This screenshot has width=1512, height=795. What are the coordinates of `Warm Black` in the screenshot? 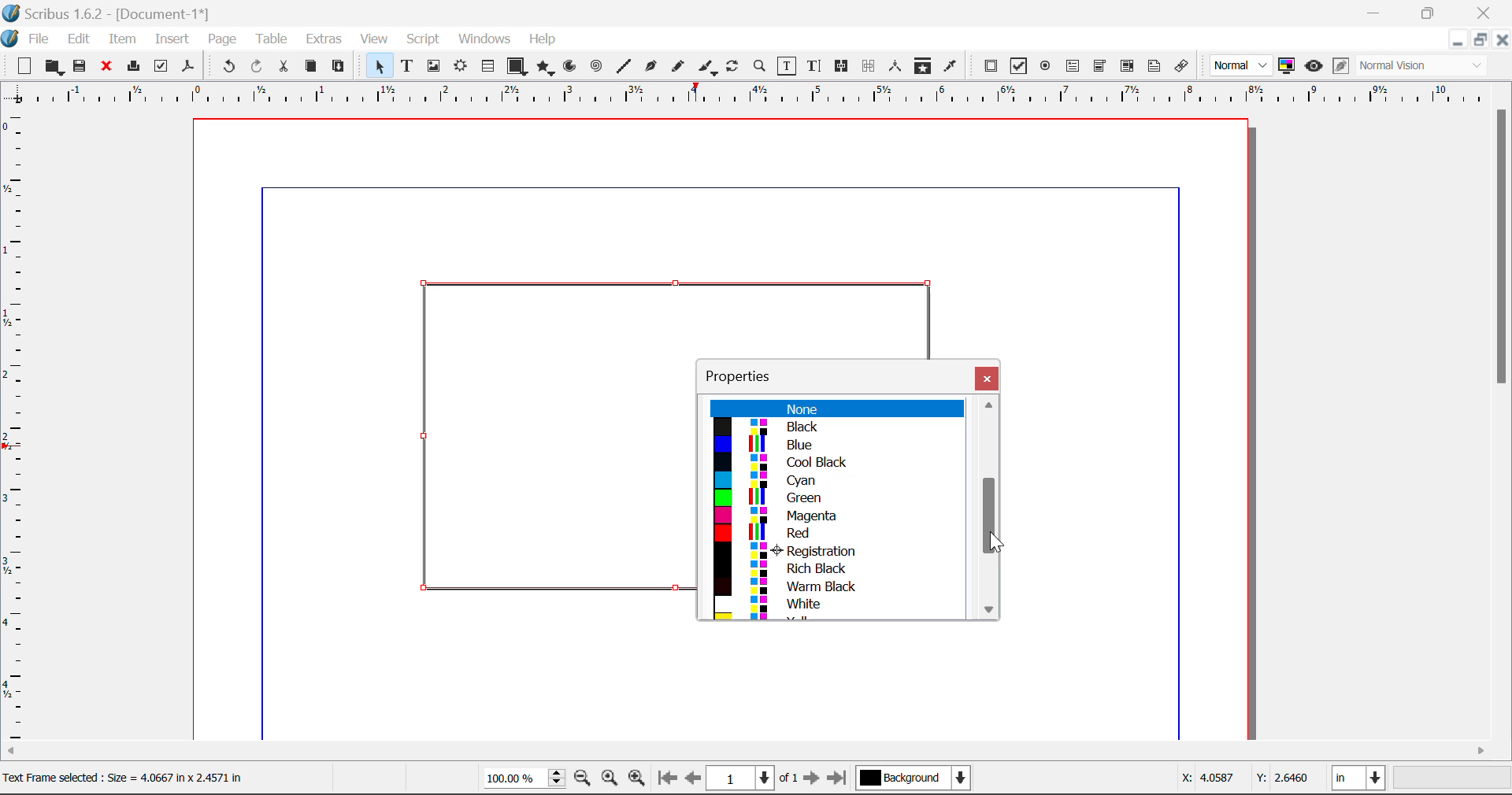 It's located at (832, 586).